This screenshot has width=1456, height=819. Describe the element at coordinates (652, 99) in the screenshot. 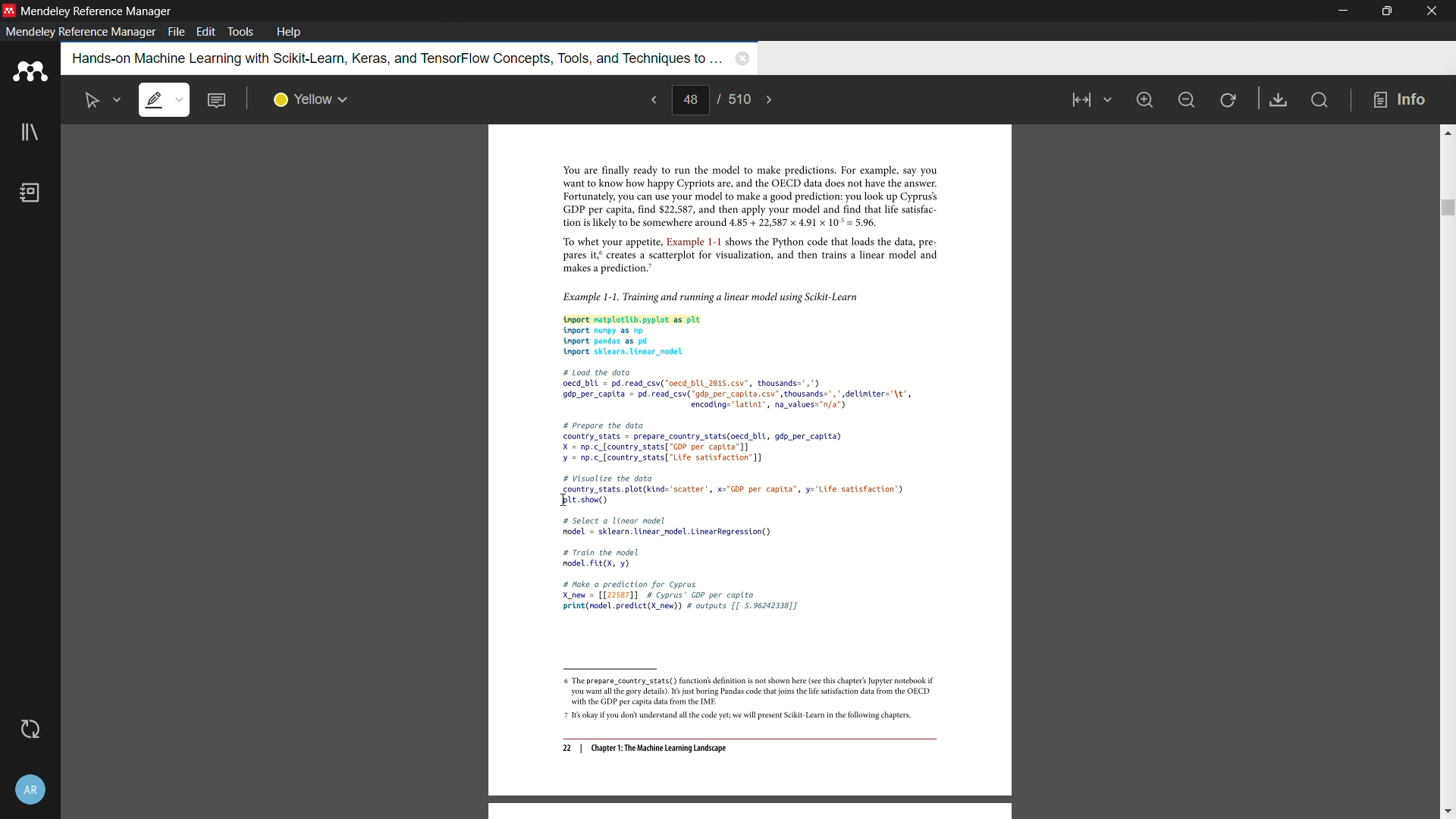

I see `previous page` at that location.